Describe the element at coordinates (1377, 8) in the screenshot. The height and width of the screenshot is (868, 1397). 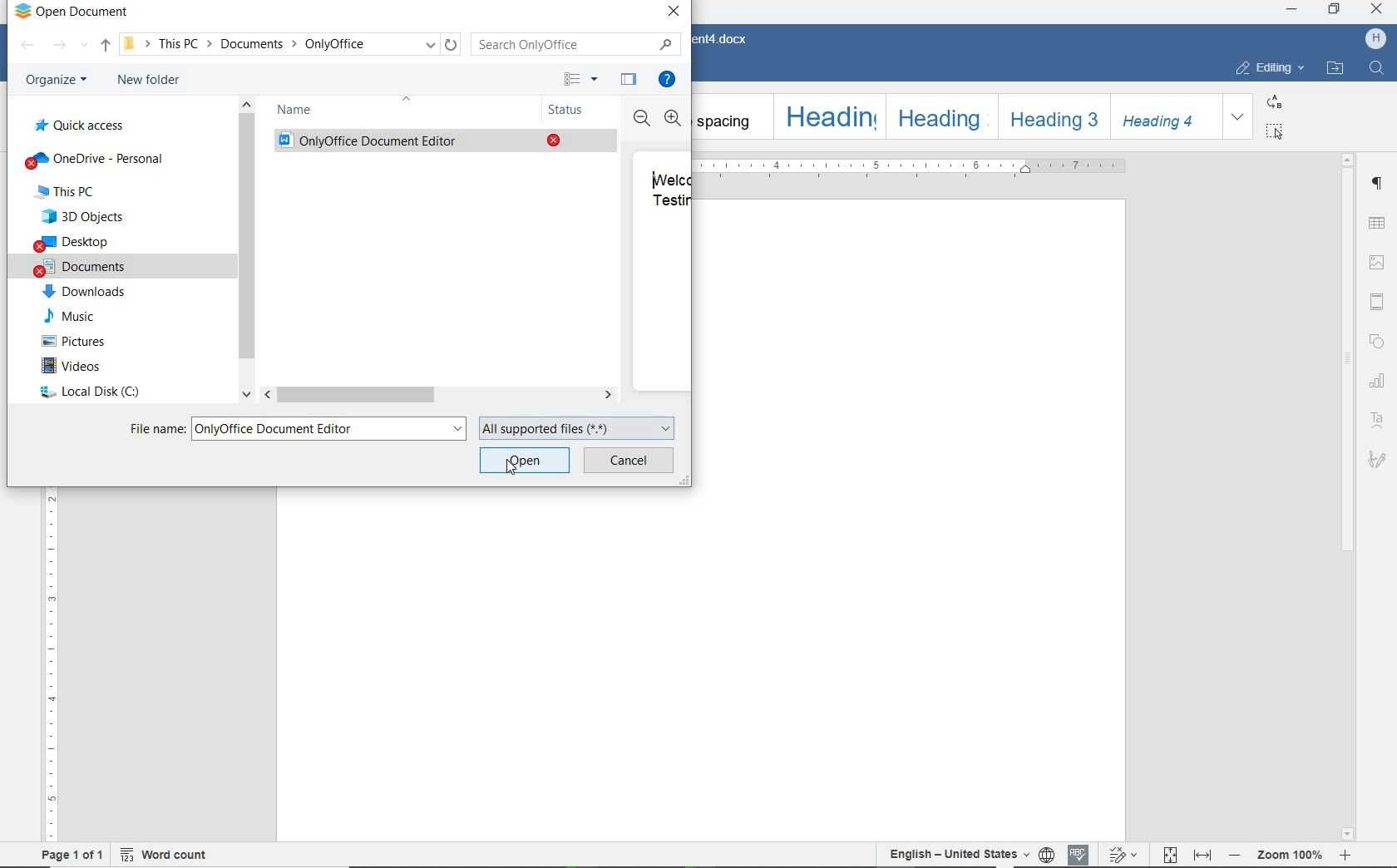
I see `close` at that location.